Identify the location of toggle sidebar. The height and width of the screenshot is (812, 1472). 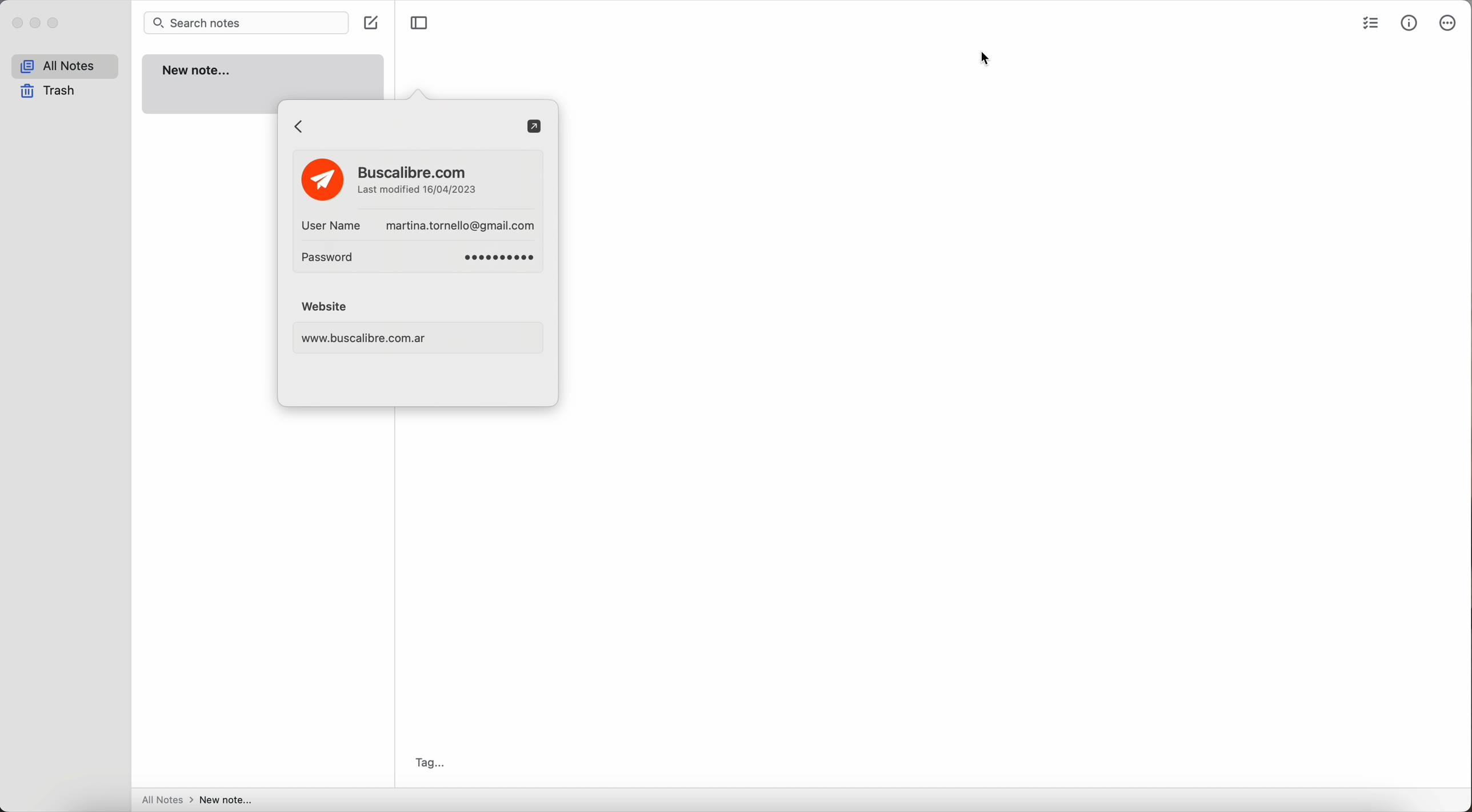
(419, 23).